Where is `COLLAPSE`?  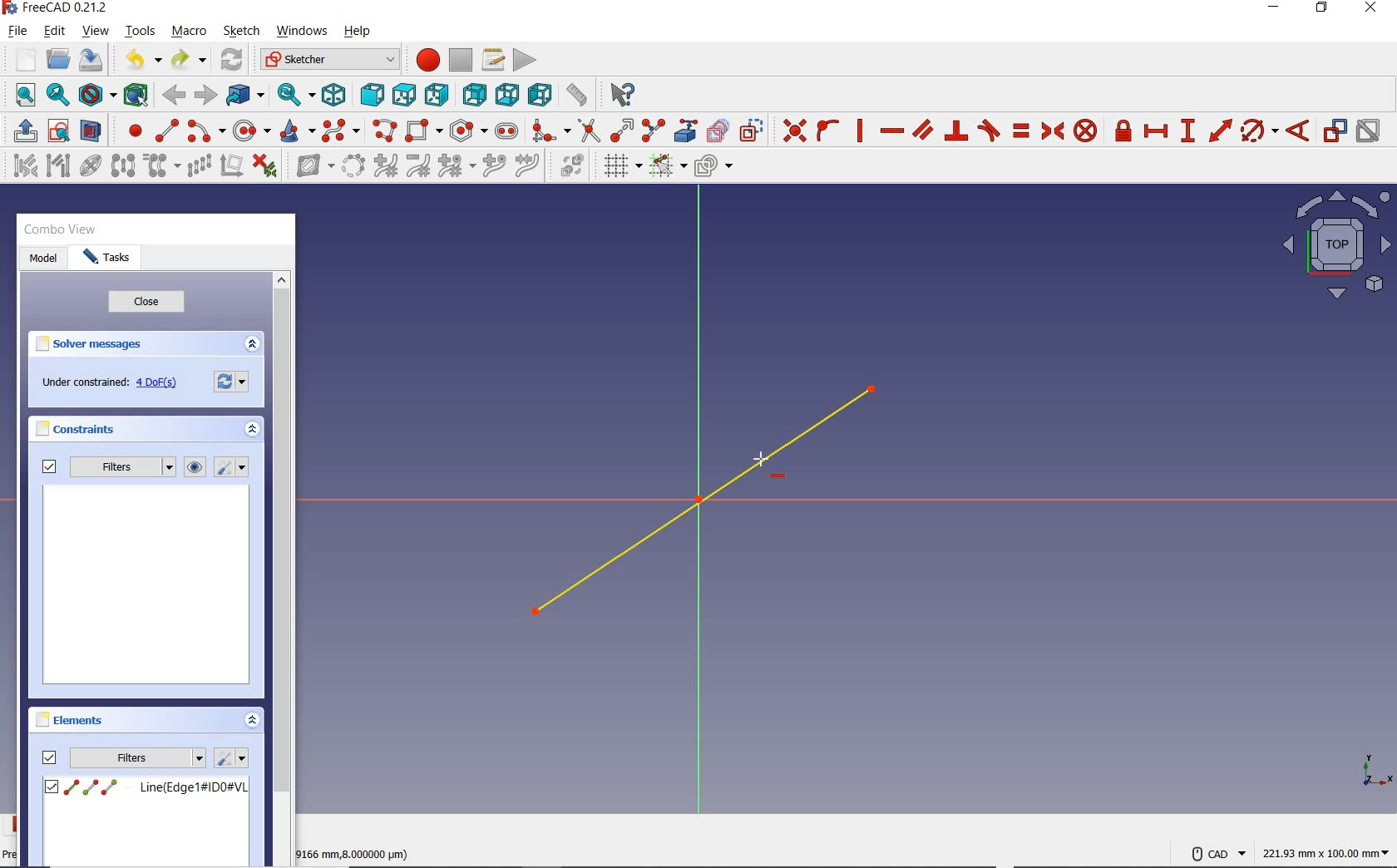
COLLAPSE is located at coordinates (251, 429).